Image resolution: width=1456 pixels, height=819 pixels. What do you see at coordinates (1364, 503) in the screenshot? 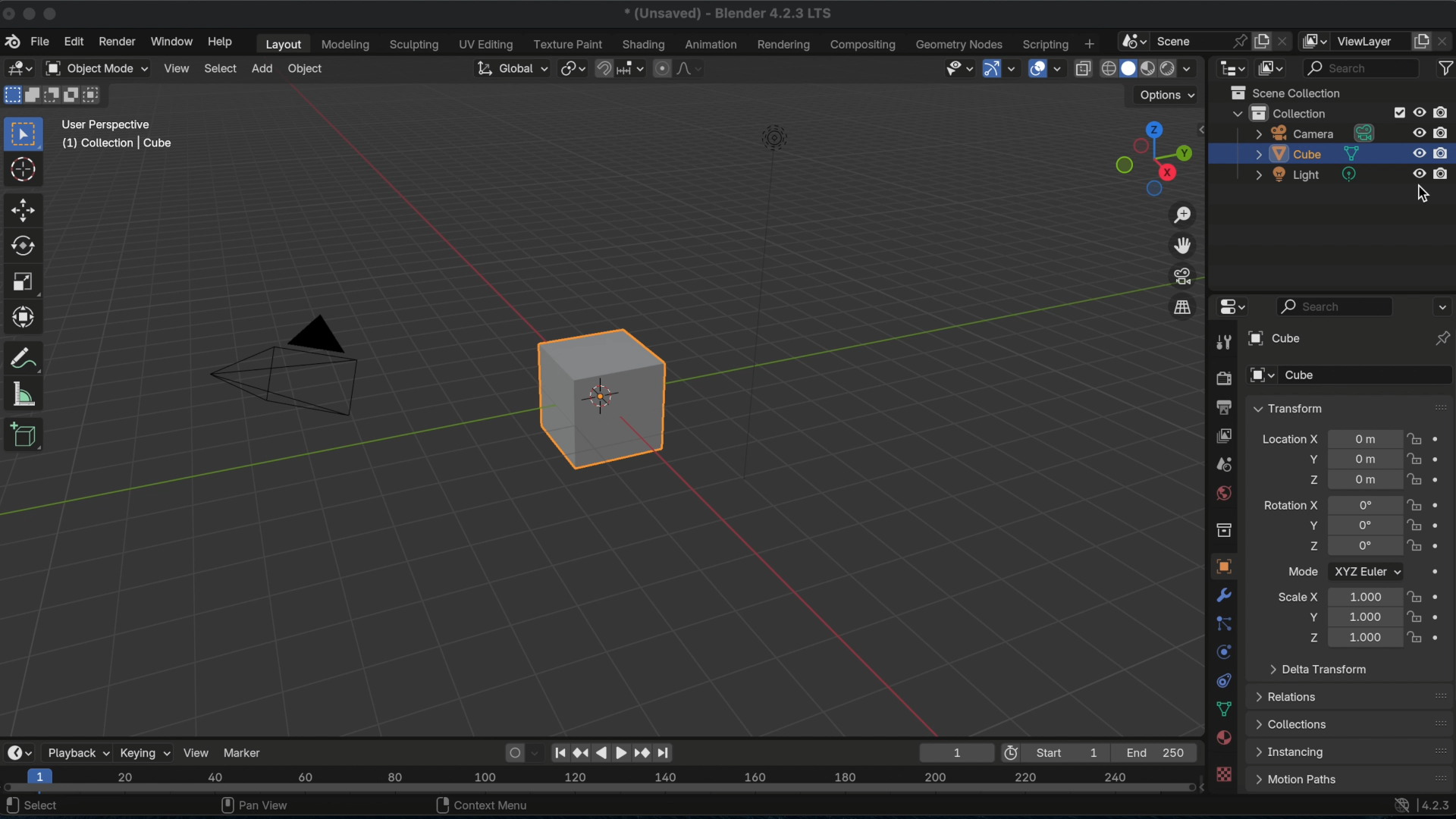
I see `Euler rotation` at bounding box center [1364, 503].